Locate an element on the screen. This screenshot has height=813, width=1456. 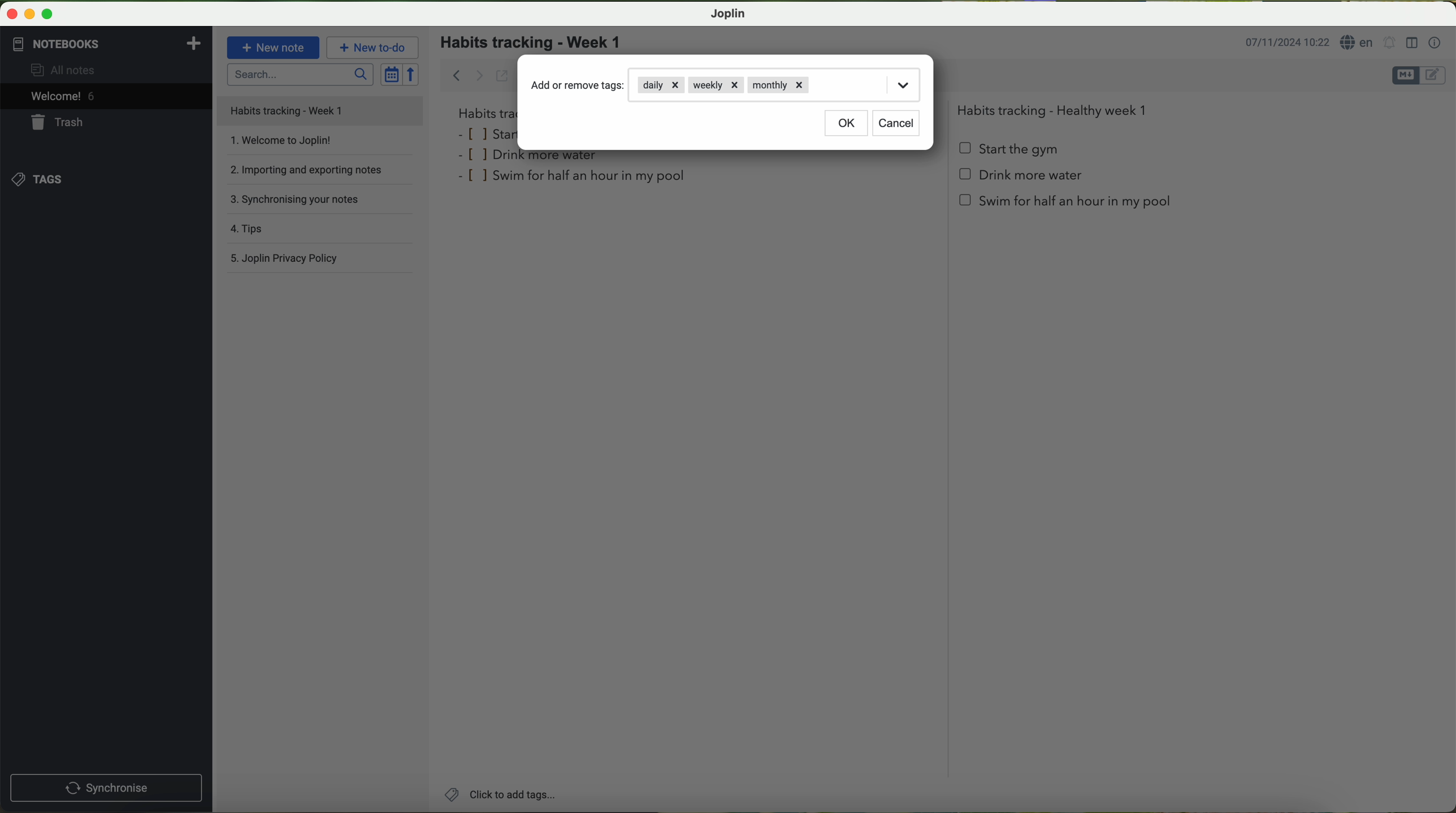
toggle sort order field is located at coordinates (391, 74).